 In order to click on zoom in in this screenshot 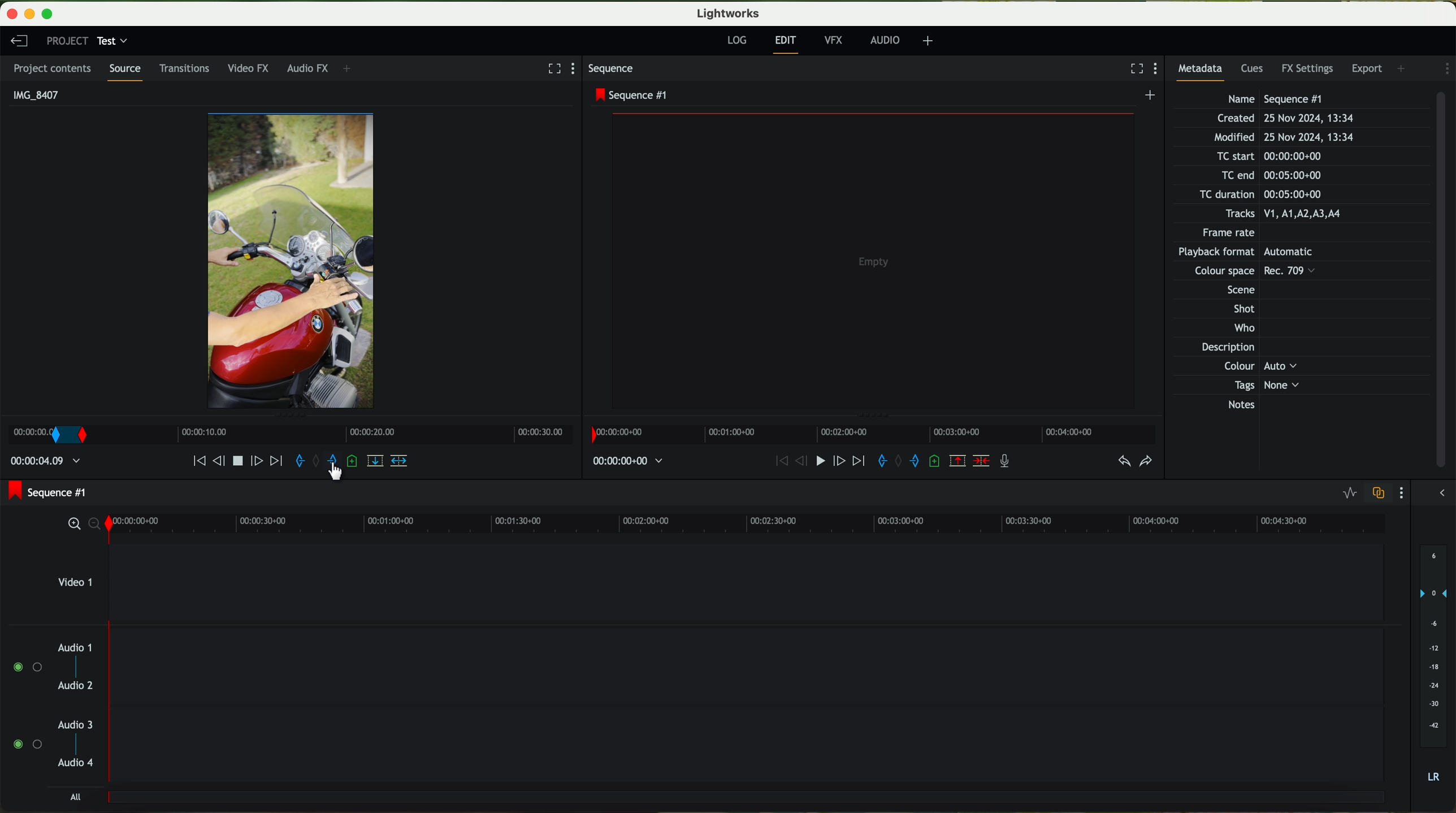, I will do `click(69, 525)`.